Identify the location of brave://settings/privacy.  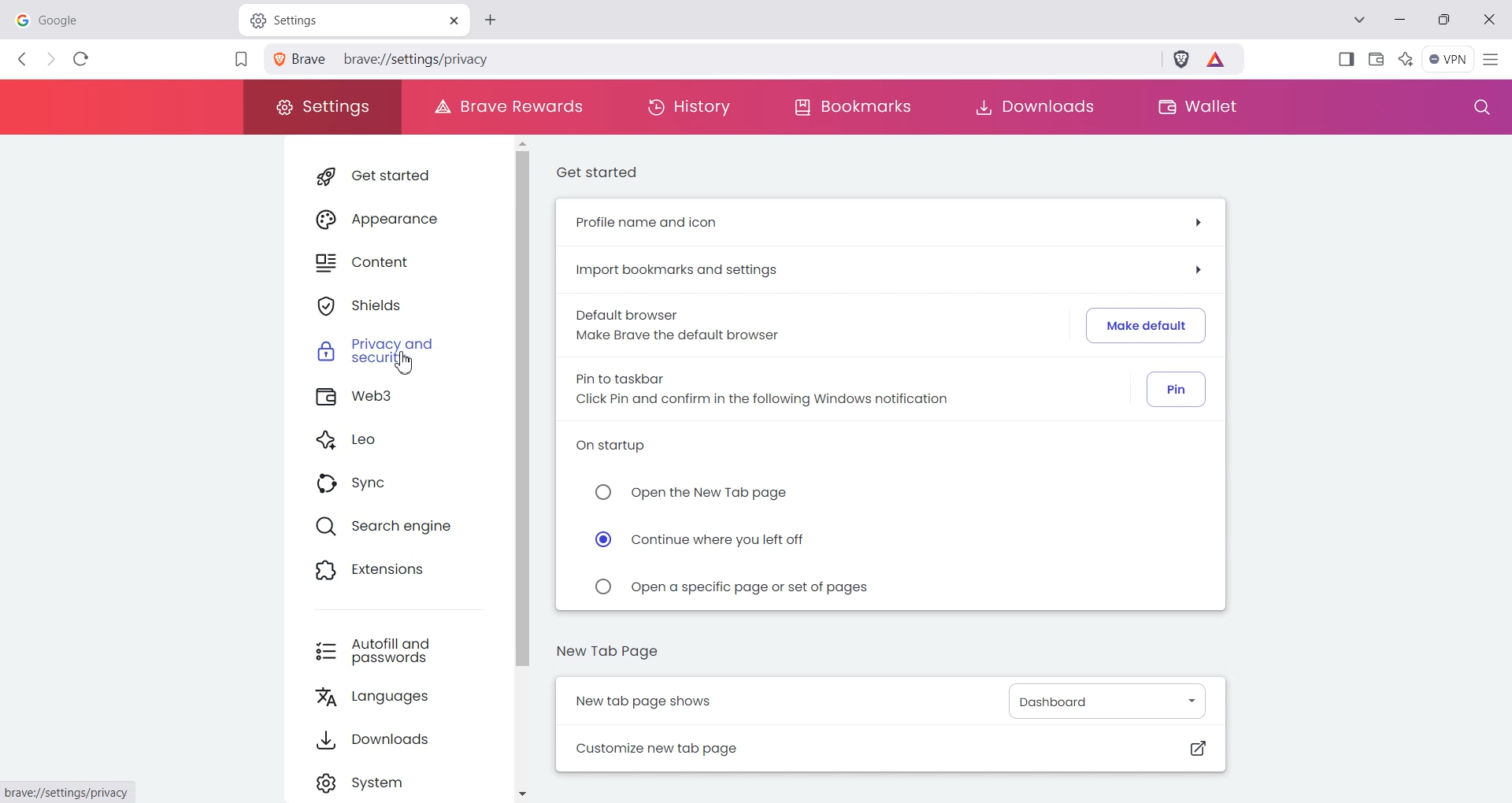
(421, 58).